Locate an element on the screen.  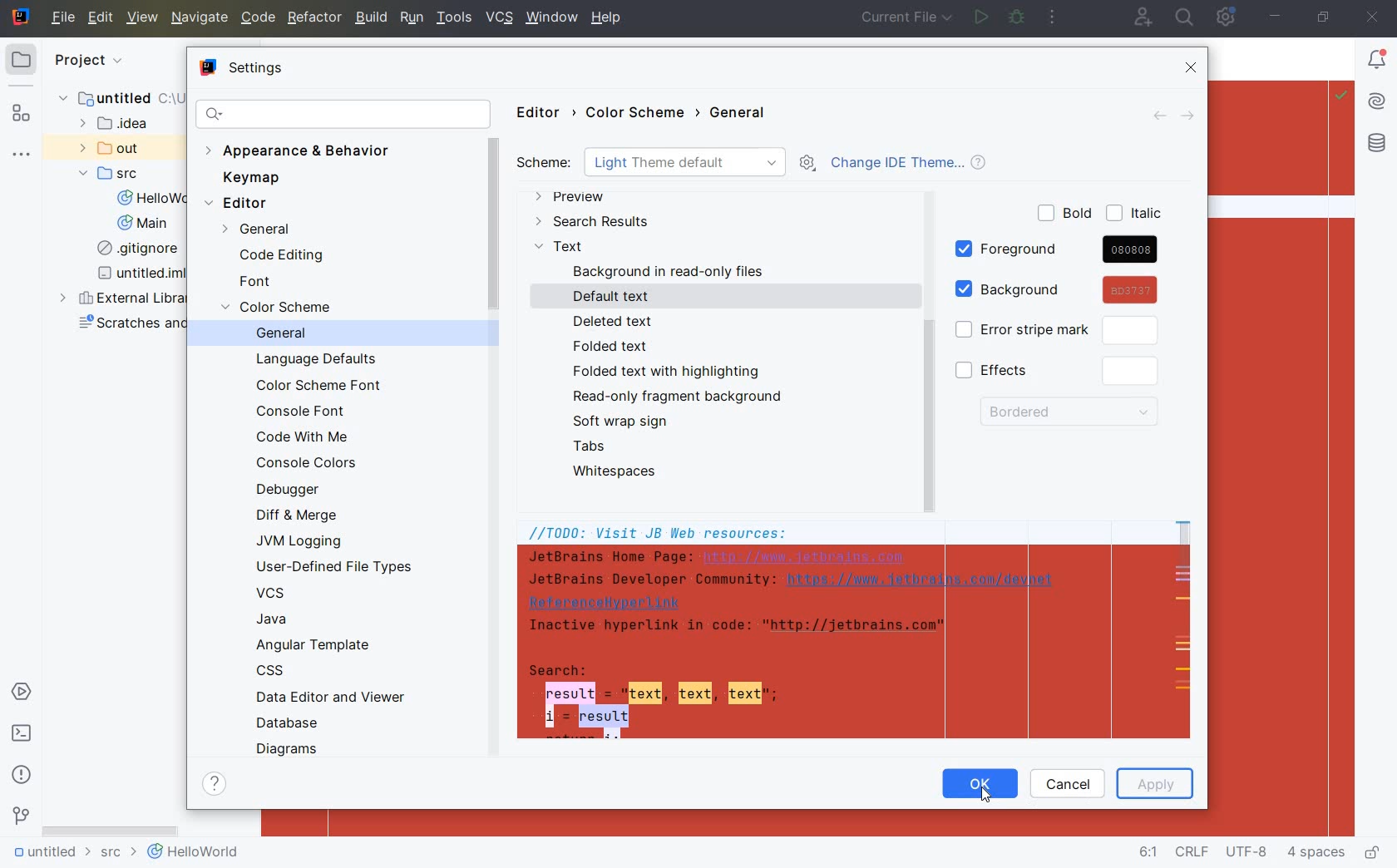
OK is located at coordinates (982, 789).